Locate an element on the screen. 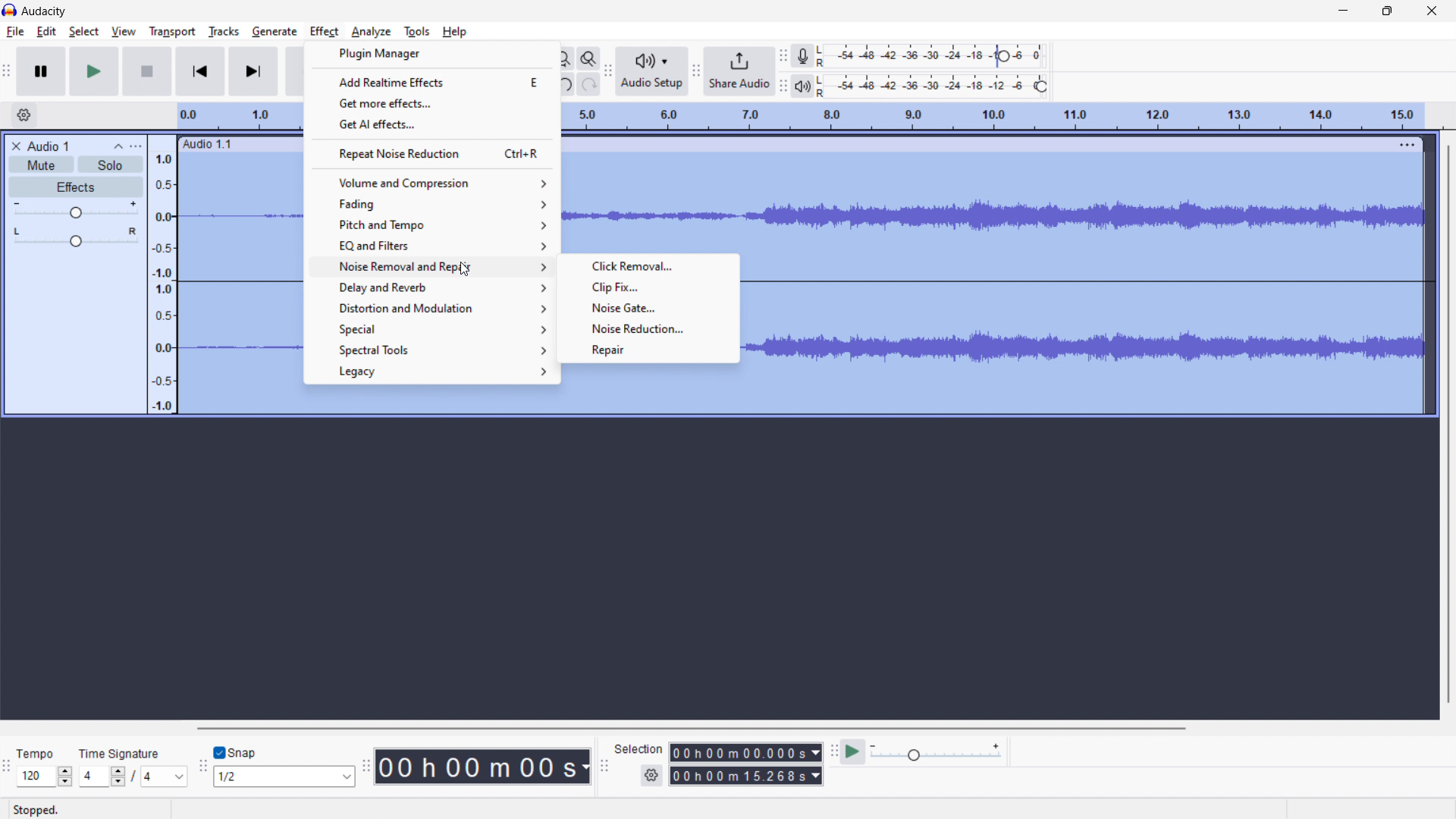 This screenshot has width=1456, height=819. title is located at coordinates (47, 146).